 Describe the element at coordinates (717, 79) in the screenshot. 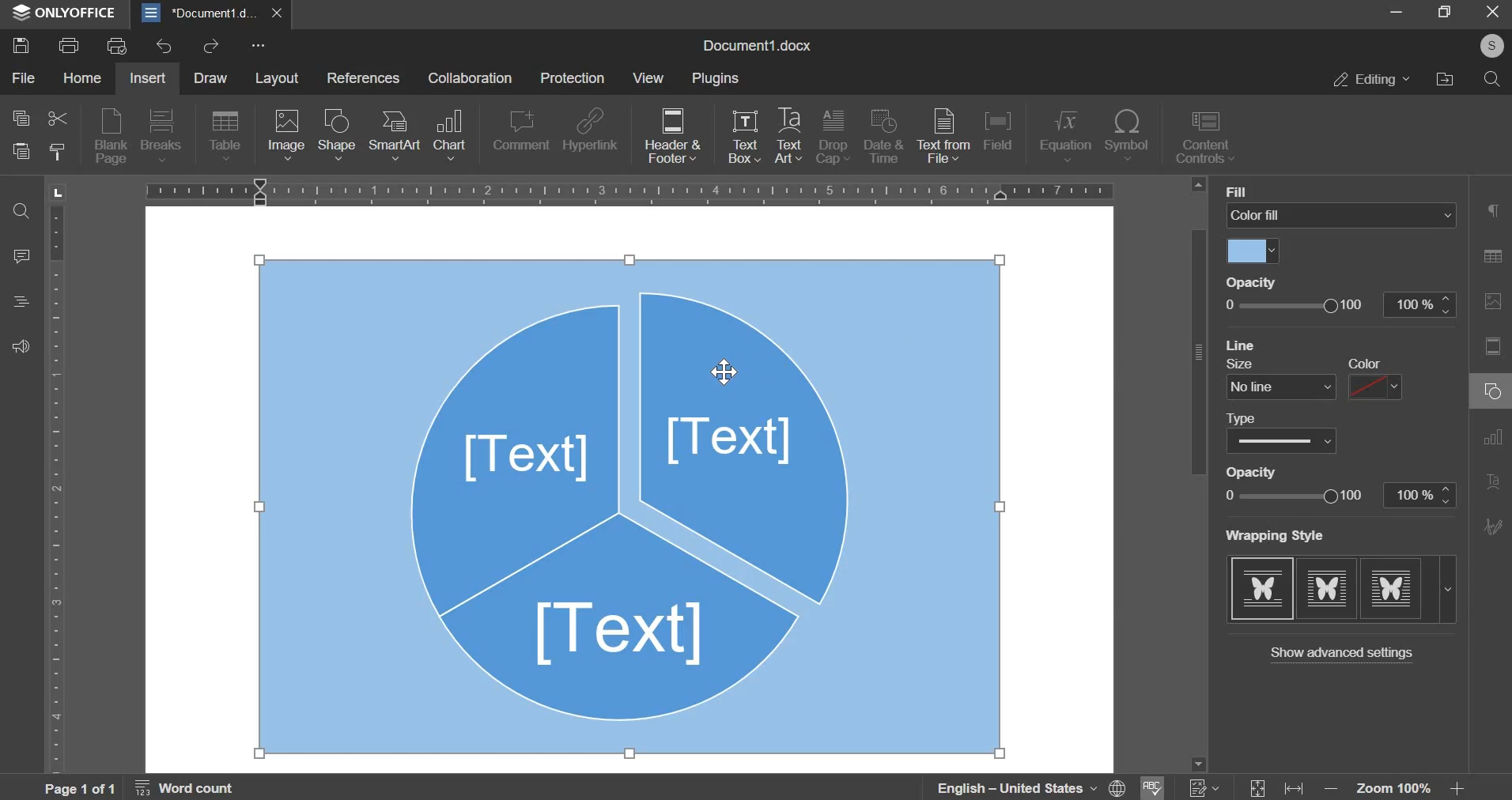

I see `plugins` at that location.